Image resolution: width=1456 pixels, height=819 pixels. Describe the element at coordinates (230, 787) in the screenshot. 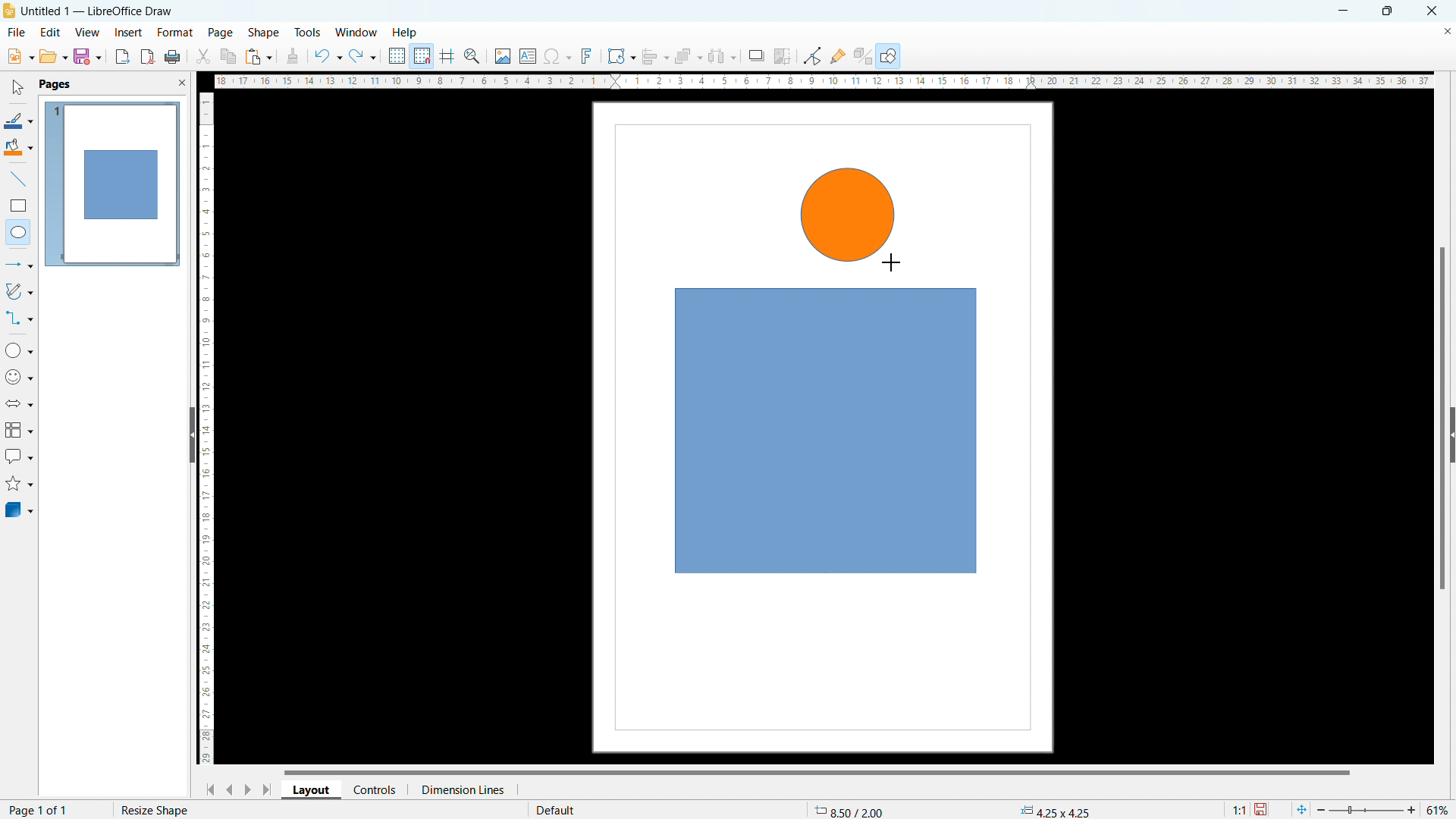

I see `go to previous page` at that location.